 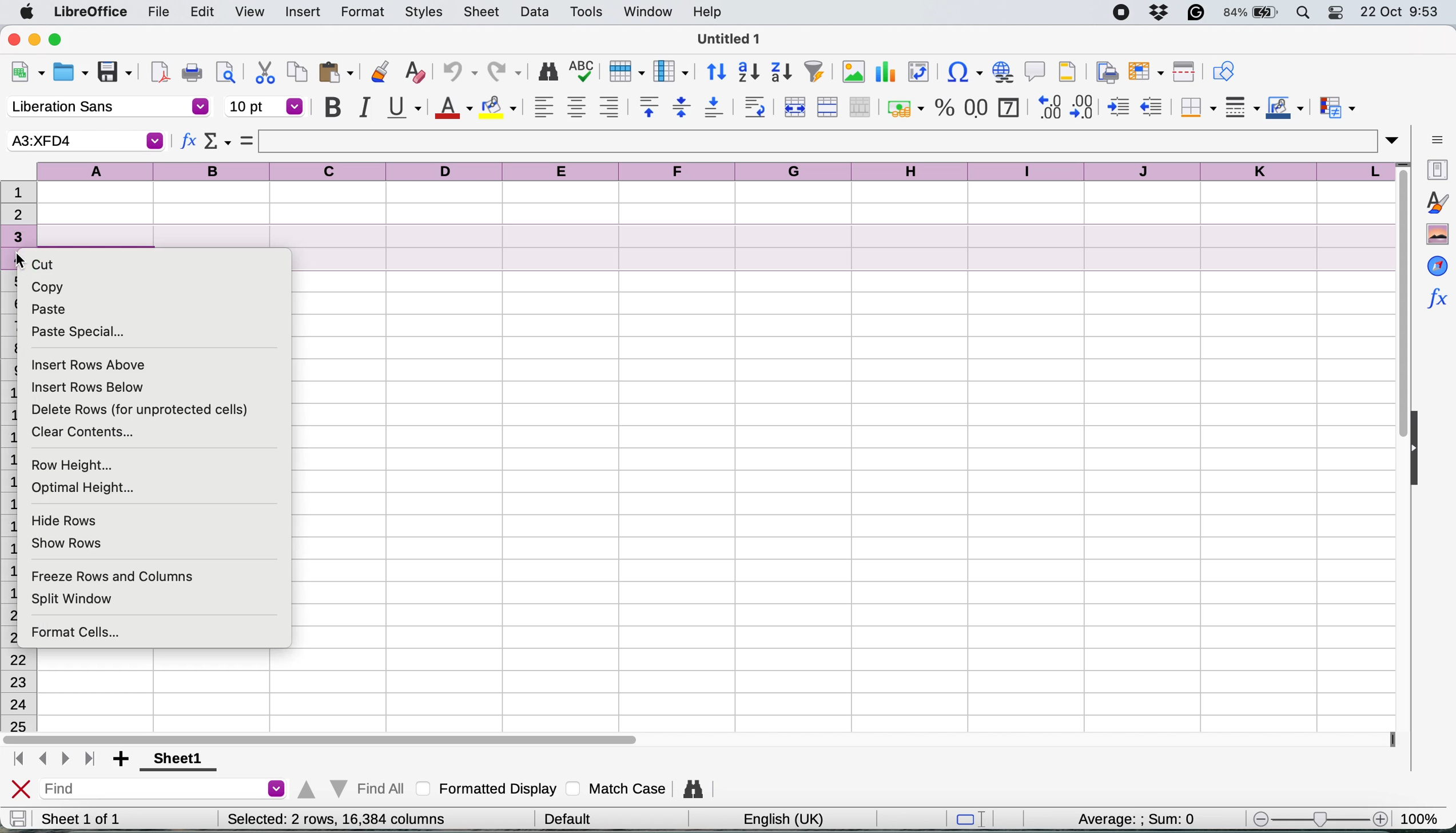 What do you see at coordinates (1242, 107) in the screenshot?
I see `border styles` at bounding box center [1242, 107].